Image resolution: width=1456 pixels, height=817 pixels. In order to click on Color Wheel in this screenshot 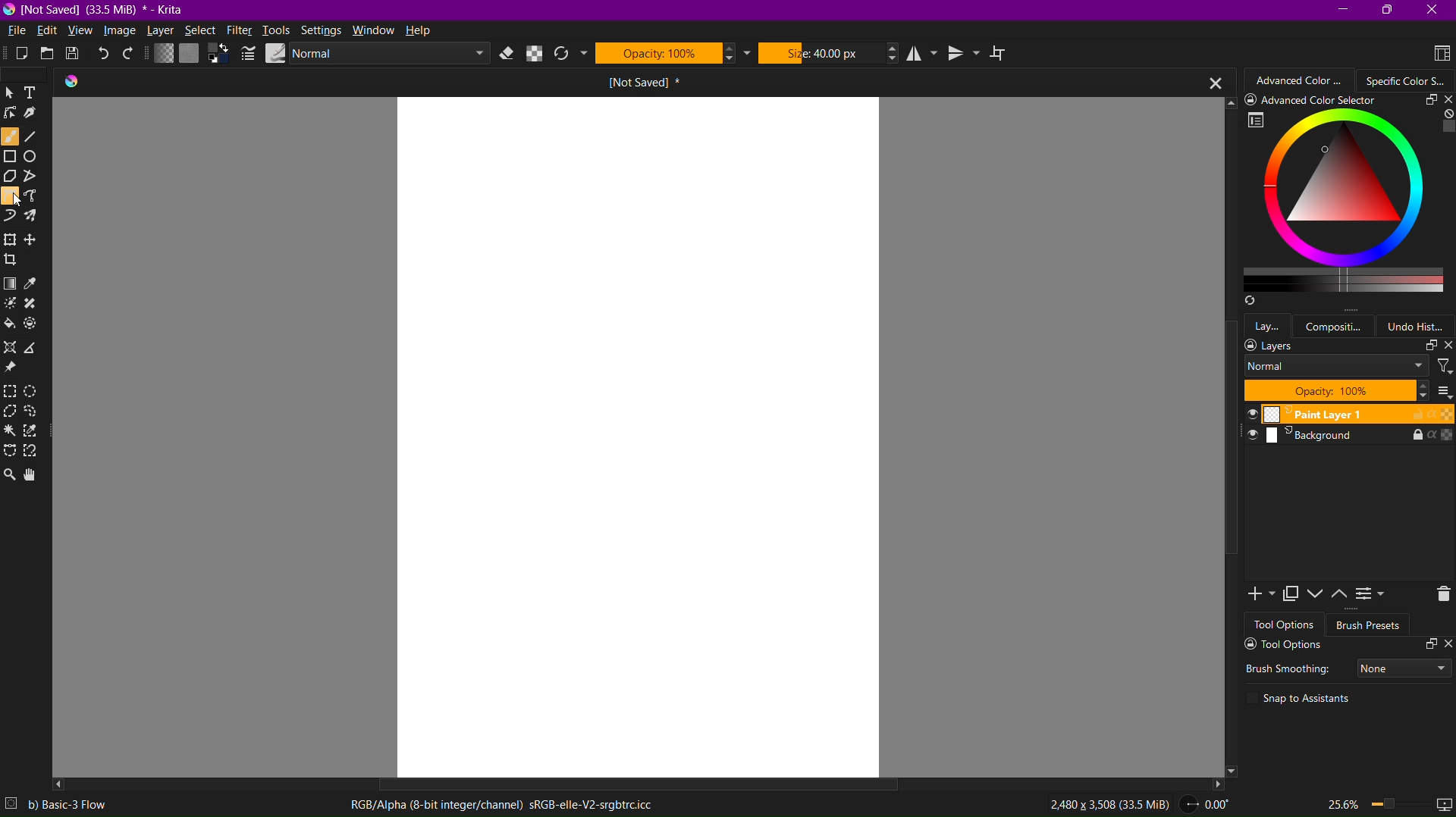, I will do `click(1407, 80)`.